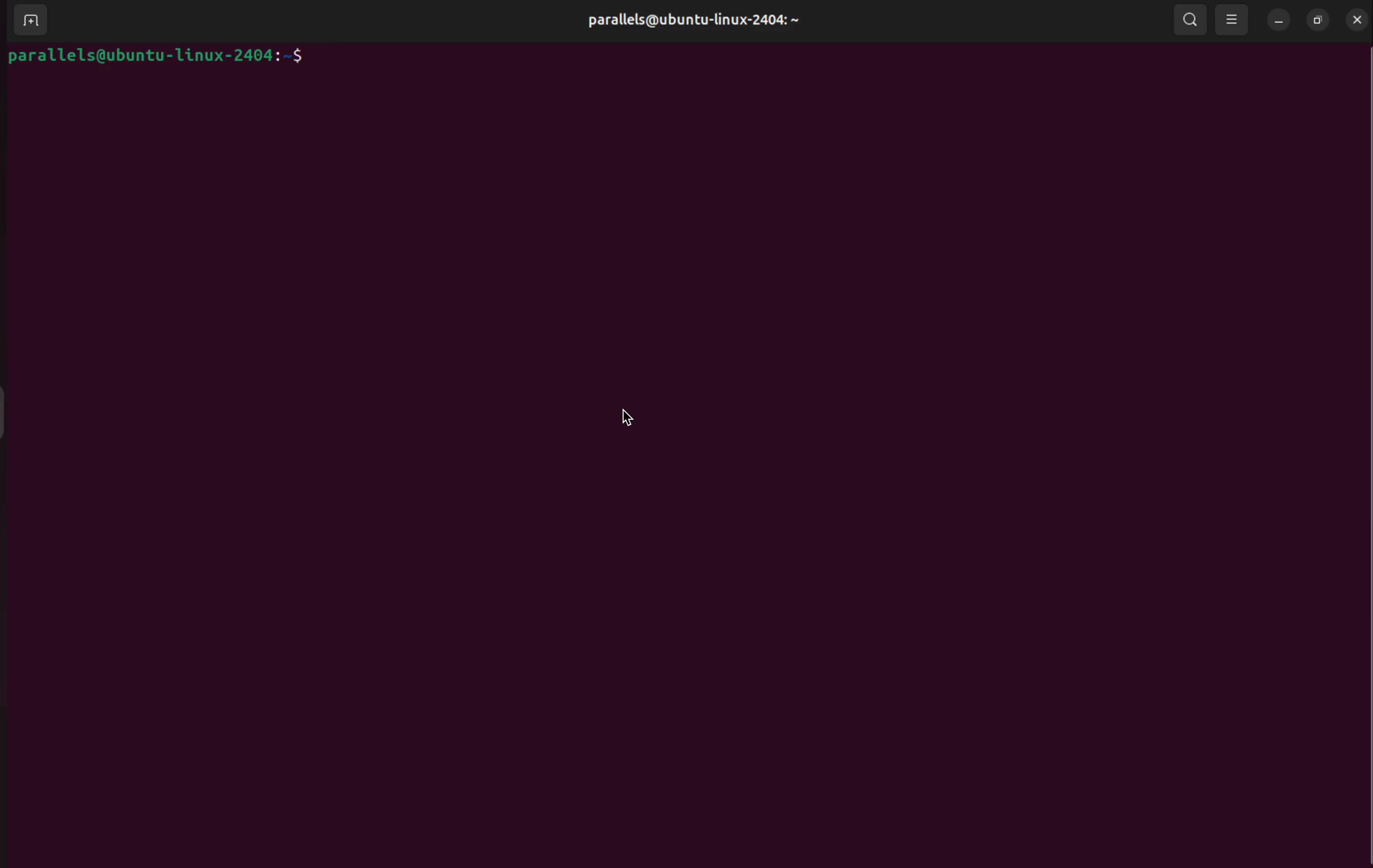 The height and width of the screenshot is (868, 1373). I want to click on resize, so click(1316, 21).